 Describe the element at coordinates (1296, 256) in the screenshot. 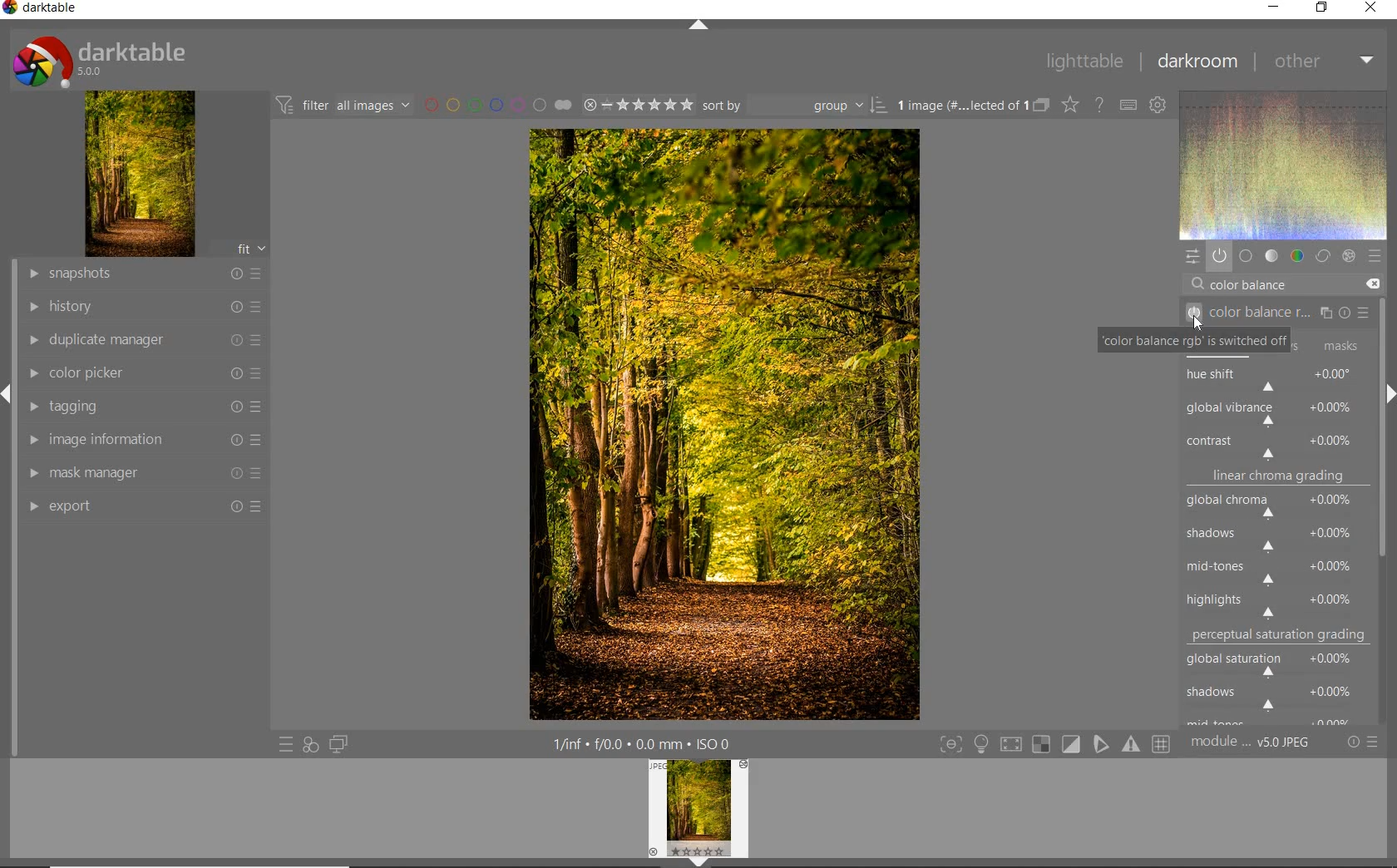

I see `color ` at that location.